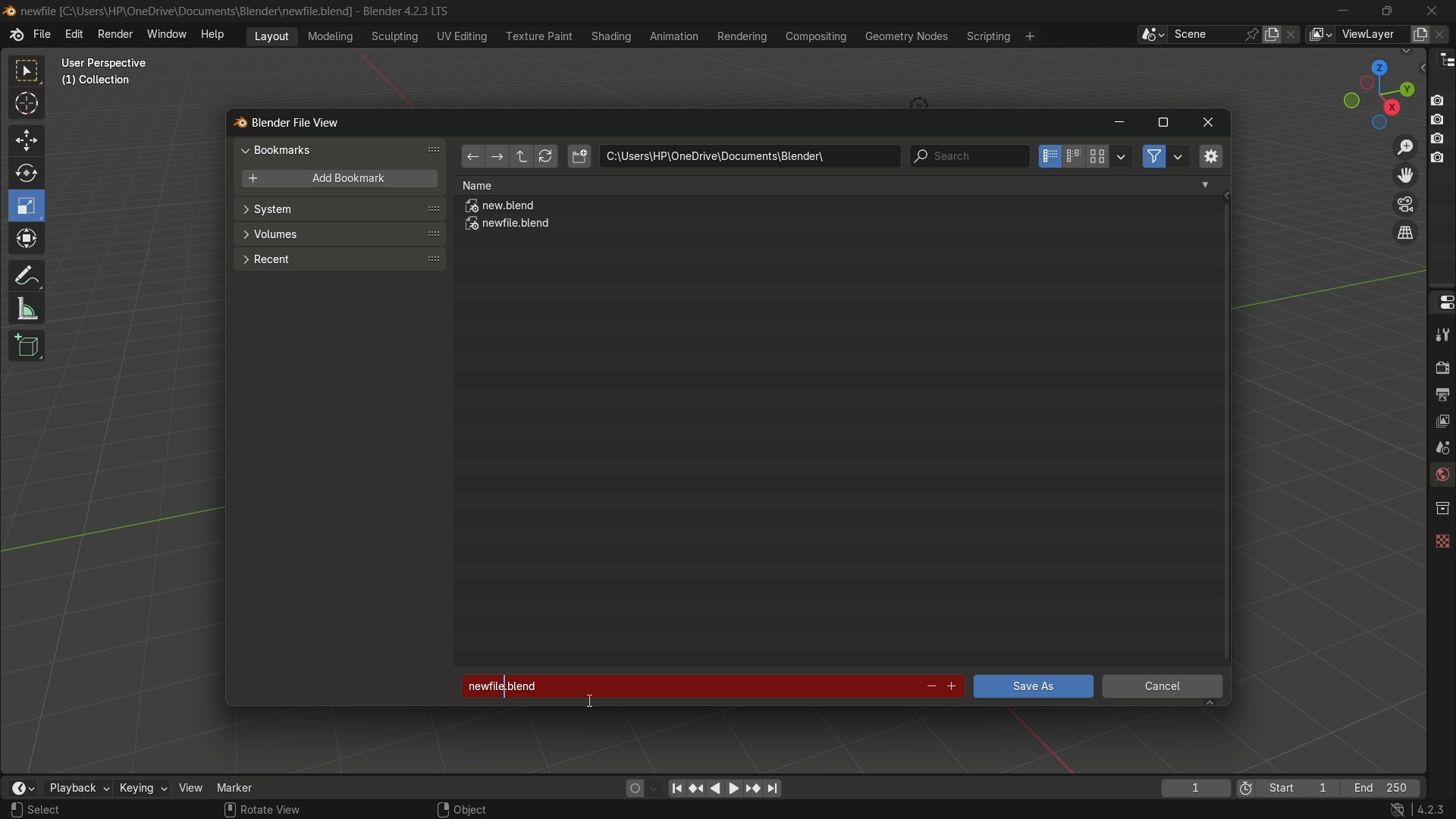 The image size is (1456, 819). What do you see at coordinates (1153, 156) in the screenshot?
I see `filter files` at bounding box center [1153, 156].